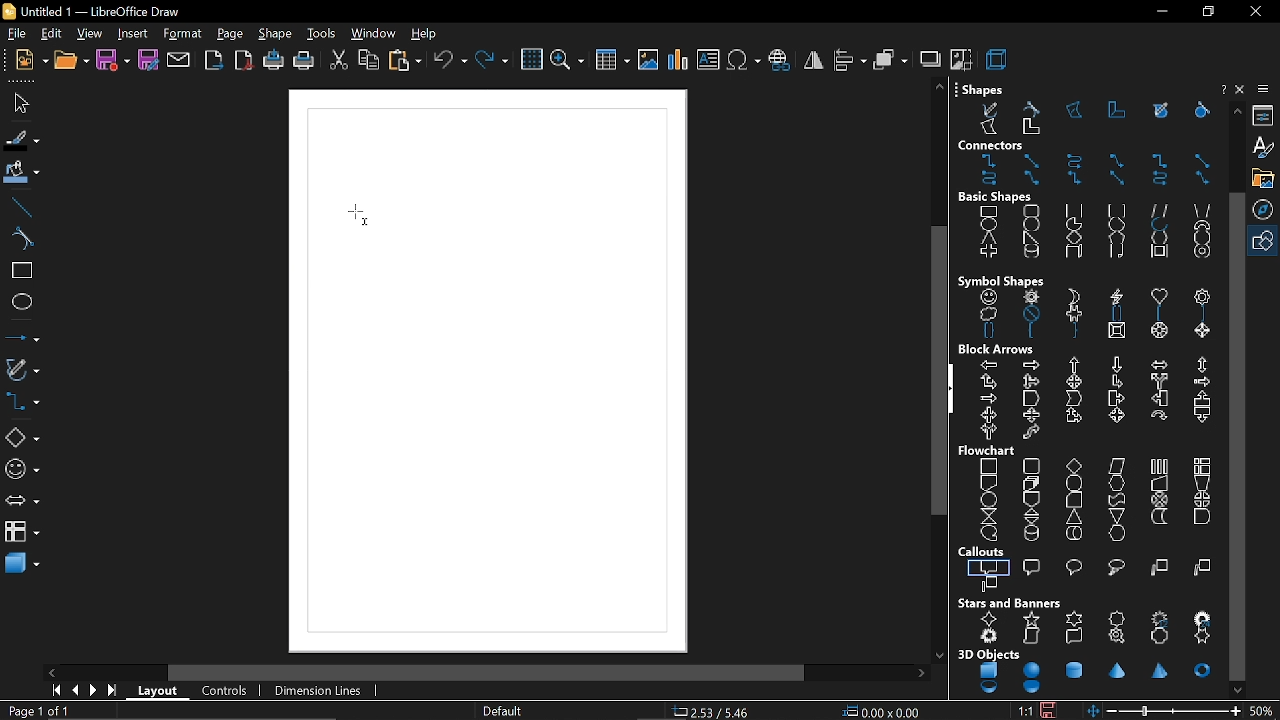 The width and height of the screenshot is (1280, 720). Describe the element at coordinates (1201, 517) in the screenshot. I see `delay` at that location.